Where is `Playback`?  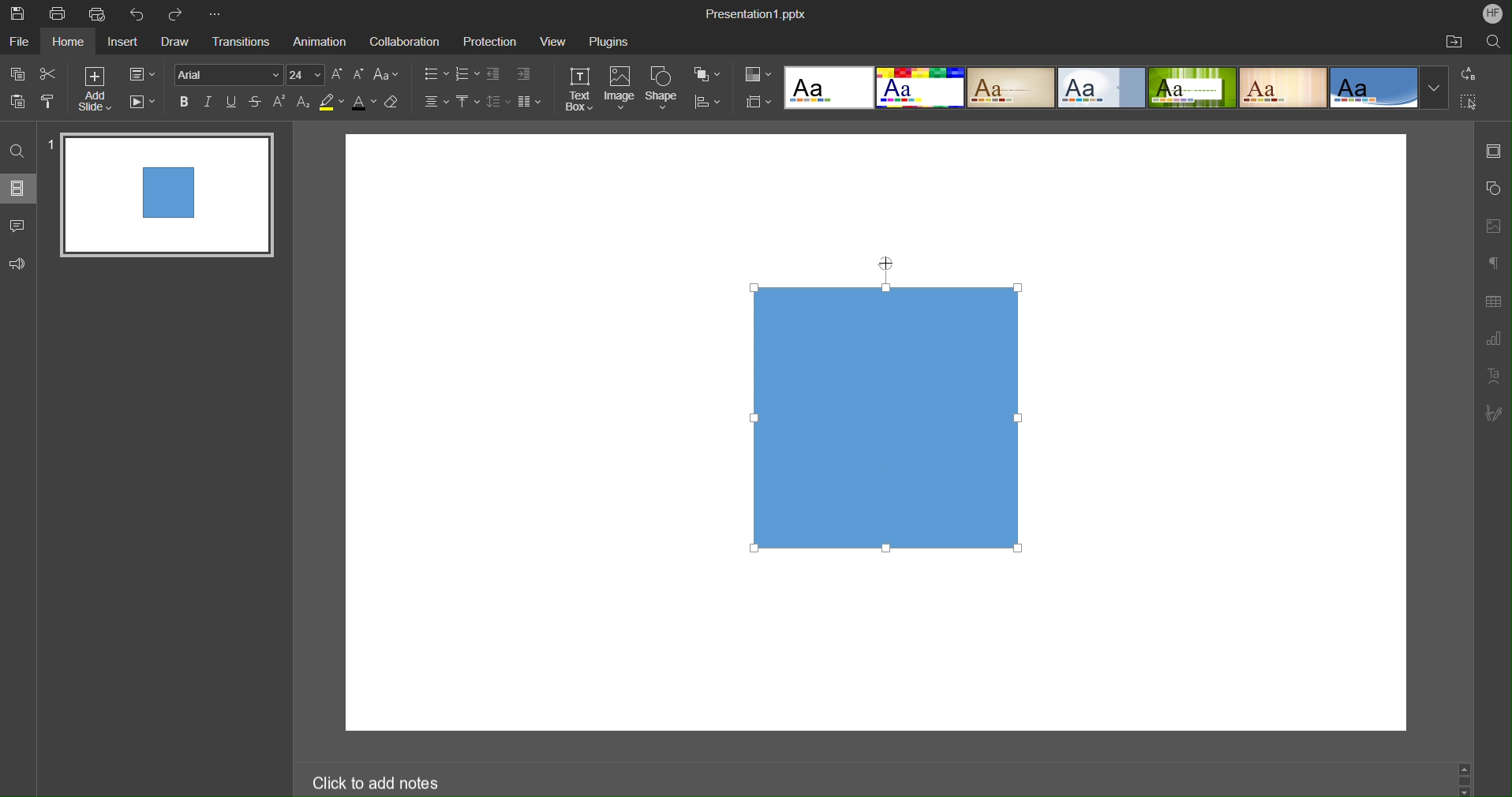
Playback is located at coordinates (143, 103).